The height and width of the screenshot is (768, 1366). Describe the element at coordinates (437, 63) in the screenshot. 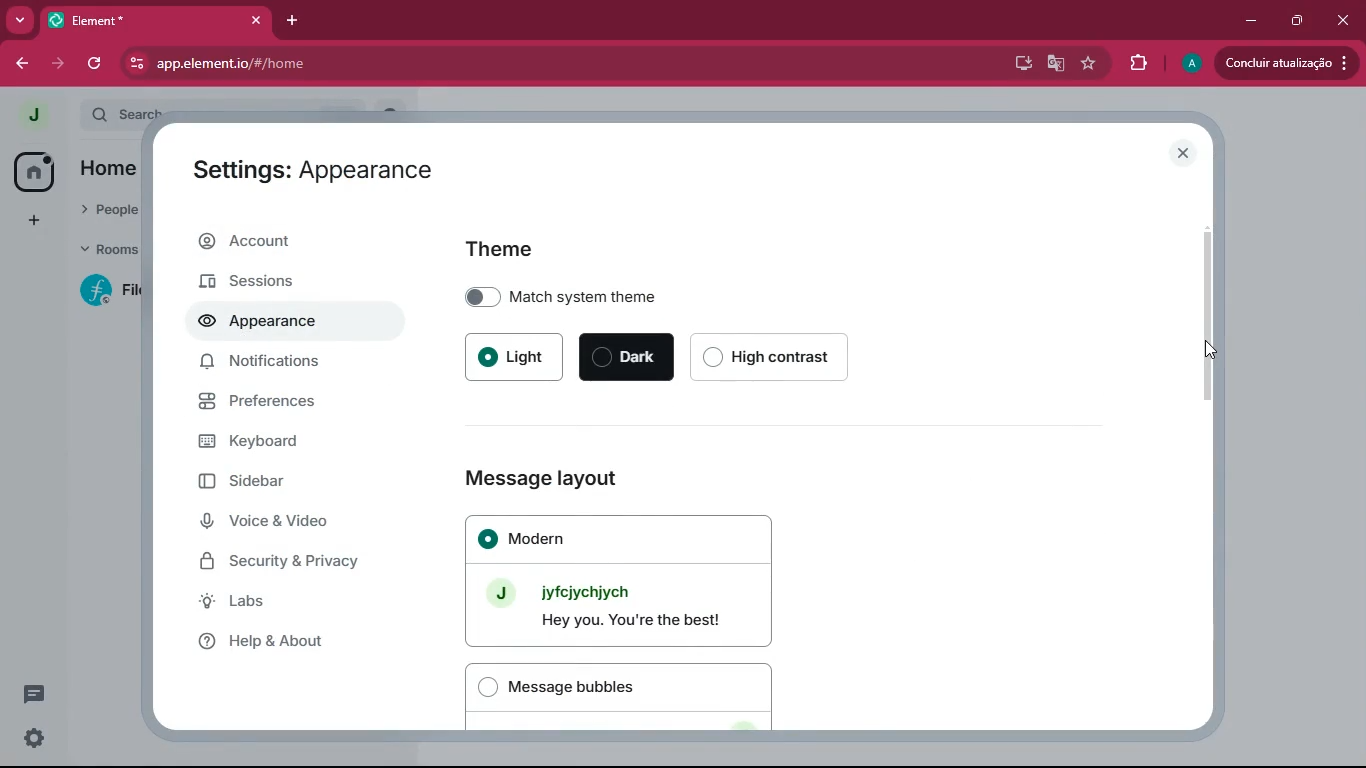

I see `app.elementio/#/home` at that location.